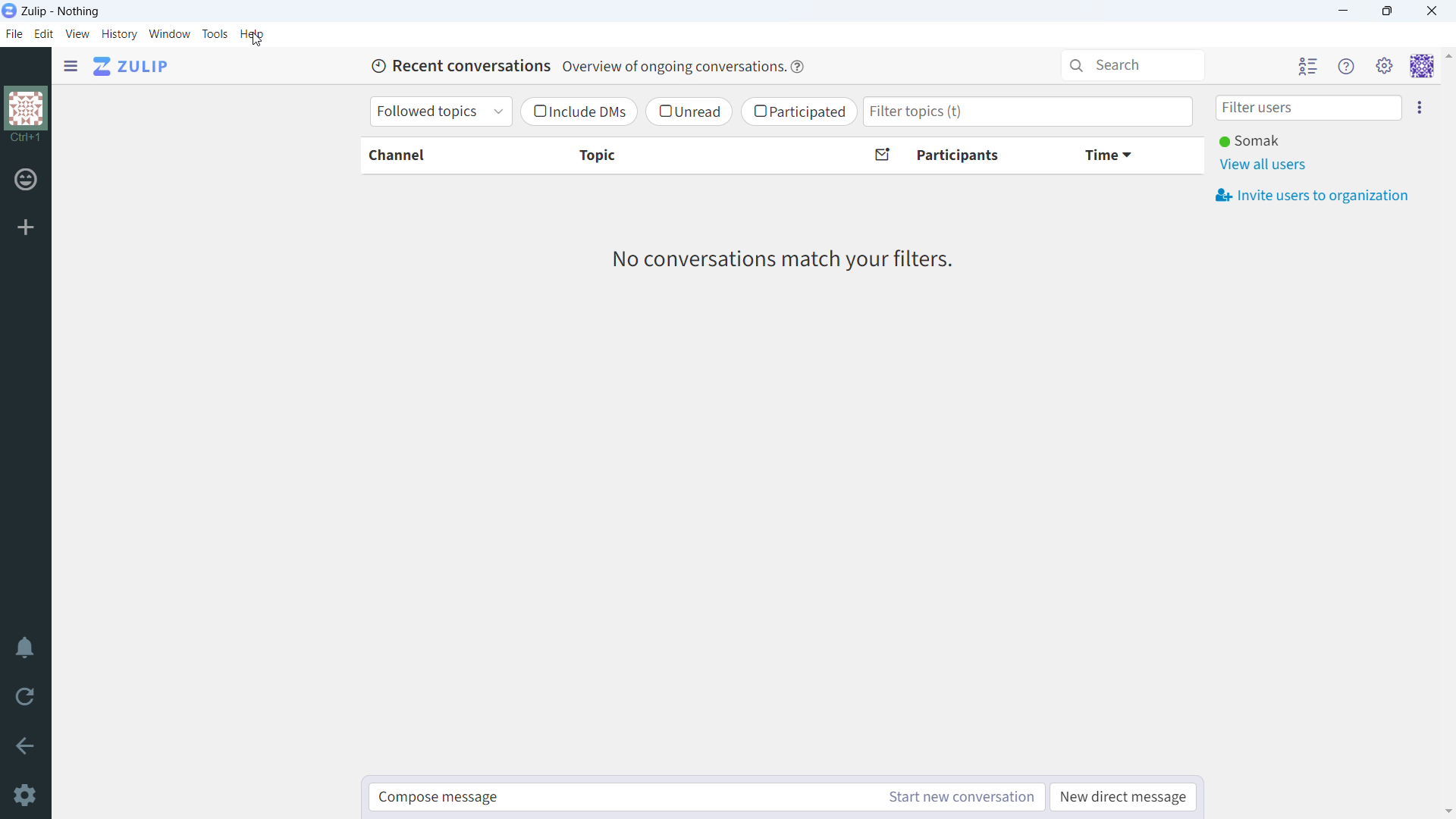 The width and height of the screenshot is (1456, 819). Describe the element at coordinates (1447, 811) in the screenshot. I see `scroll down` at that location.